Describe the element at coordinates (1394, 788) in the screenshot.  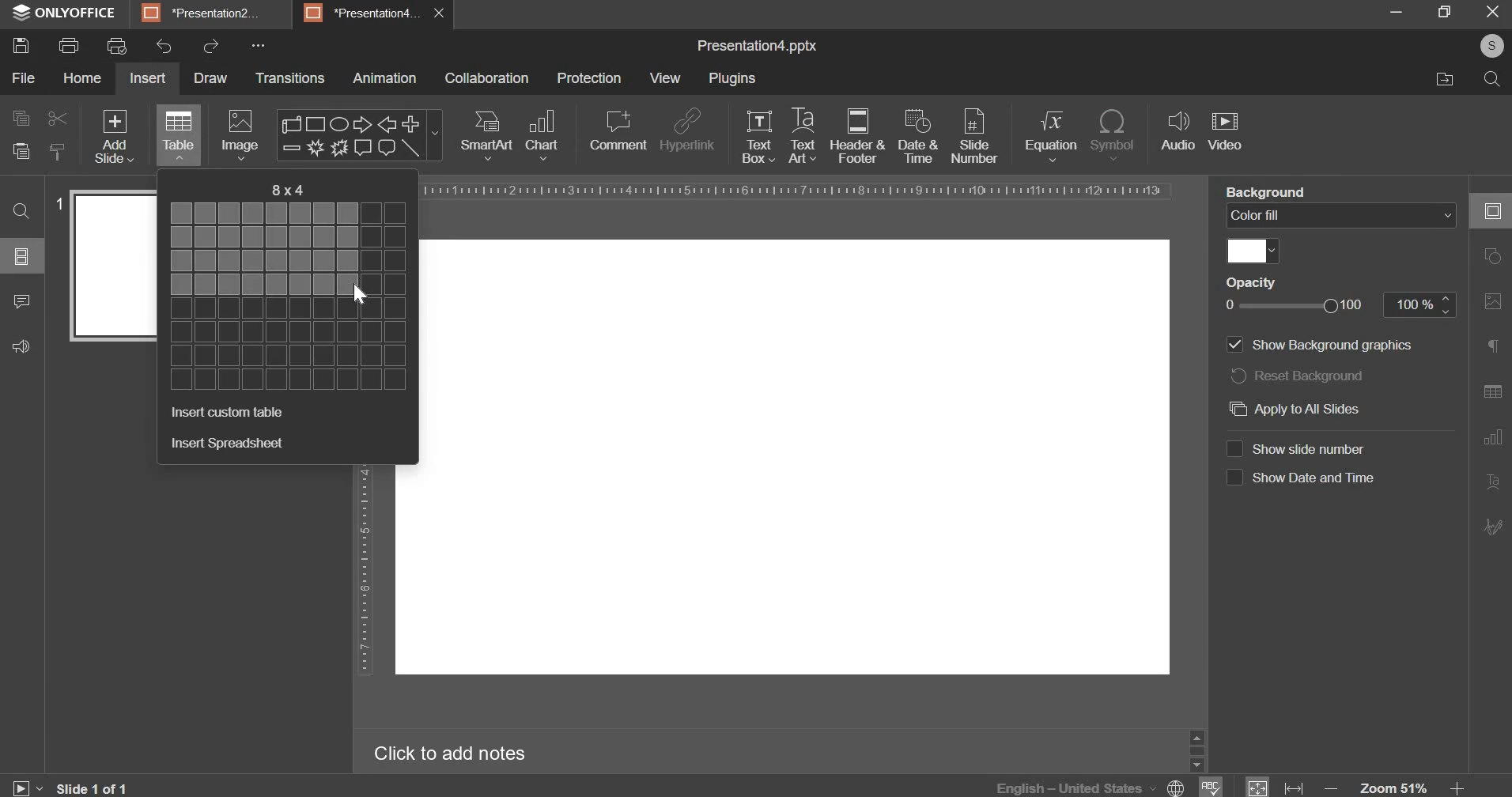
I see `zoom` at that location.